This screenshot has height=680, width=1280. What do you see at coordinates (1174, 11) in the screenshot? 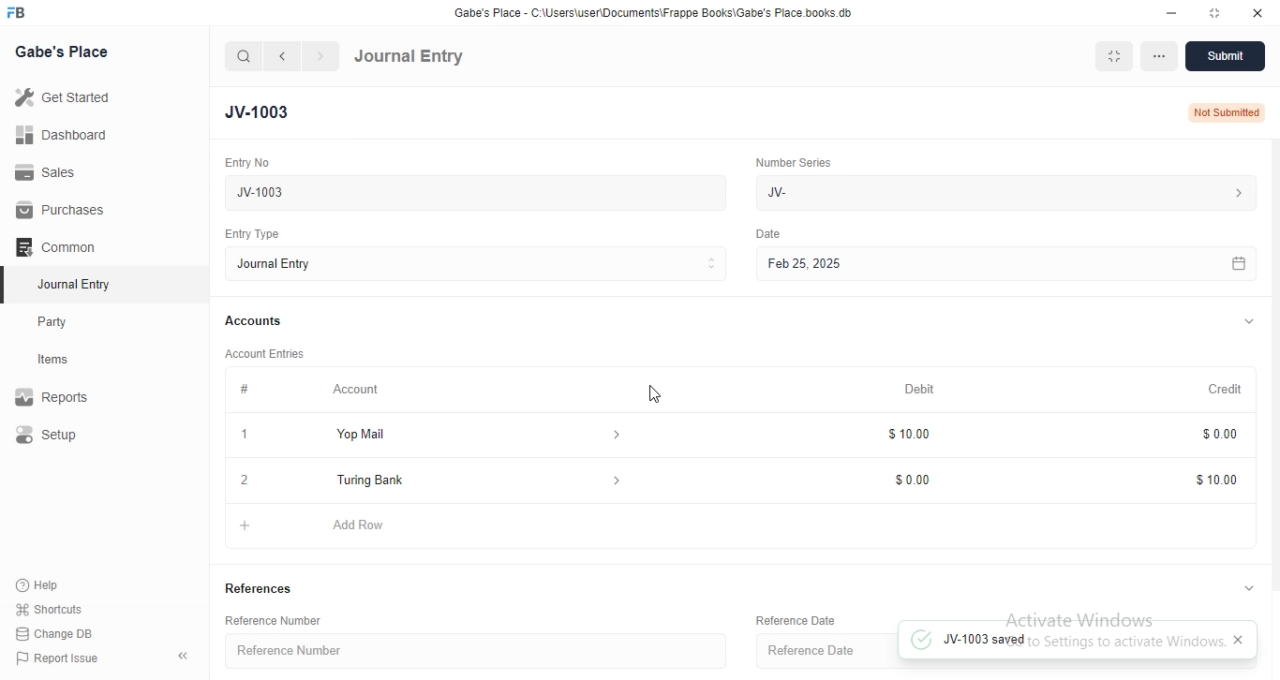
I see `minimize` at bounding box center [1174, 11].